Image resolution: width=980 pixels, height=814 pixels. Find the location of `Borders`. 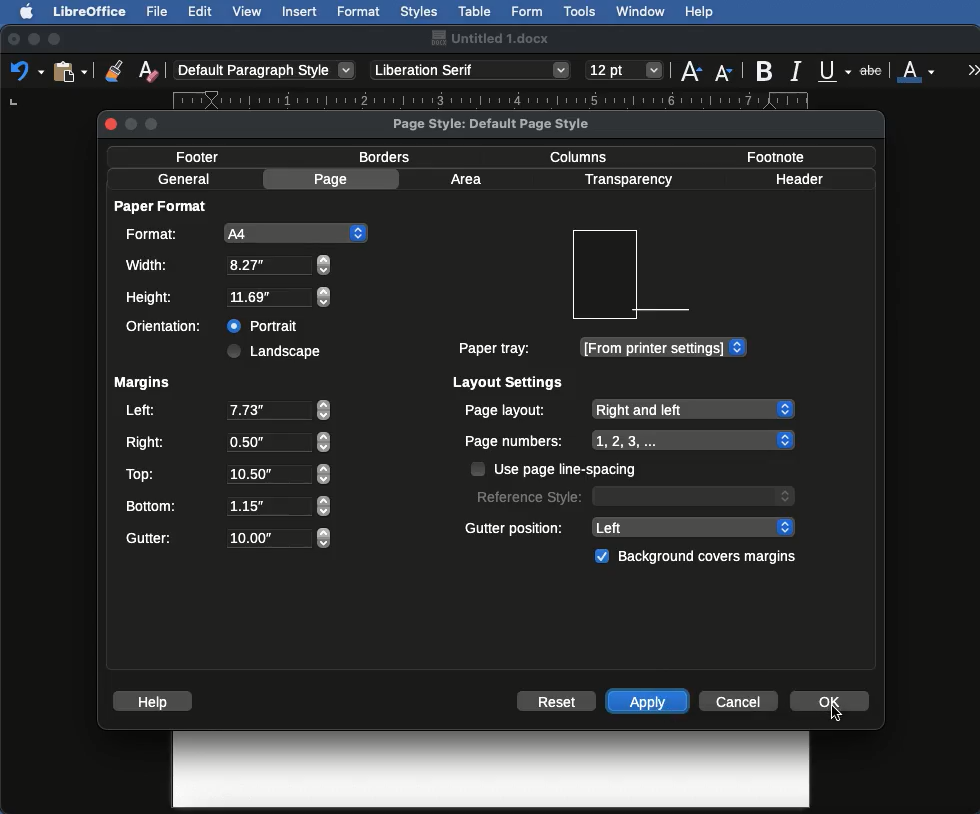

Borders is located at coordinates (386, 157).